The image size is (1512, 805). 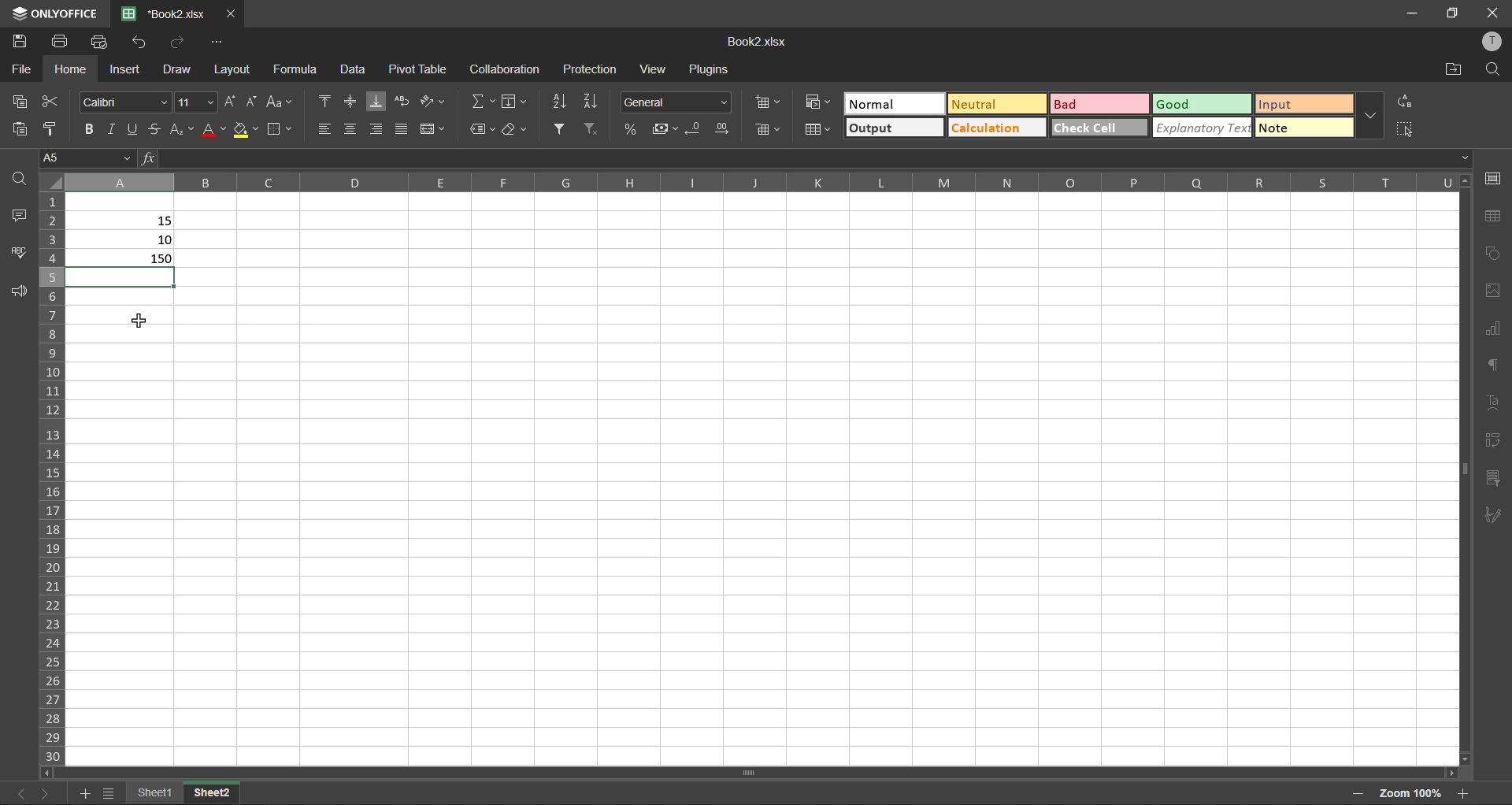 What do you see at coordinates (125, 70) in the screenshot?
I see `insert` at bounding box center [125, 70].